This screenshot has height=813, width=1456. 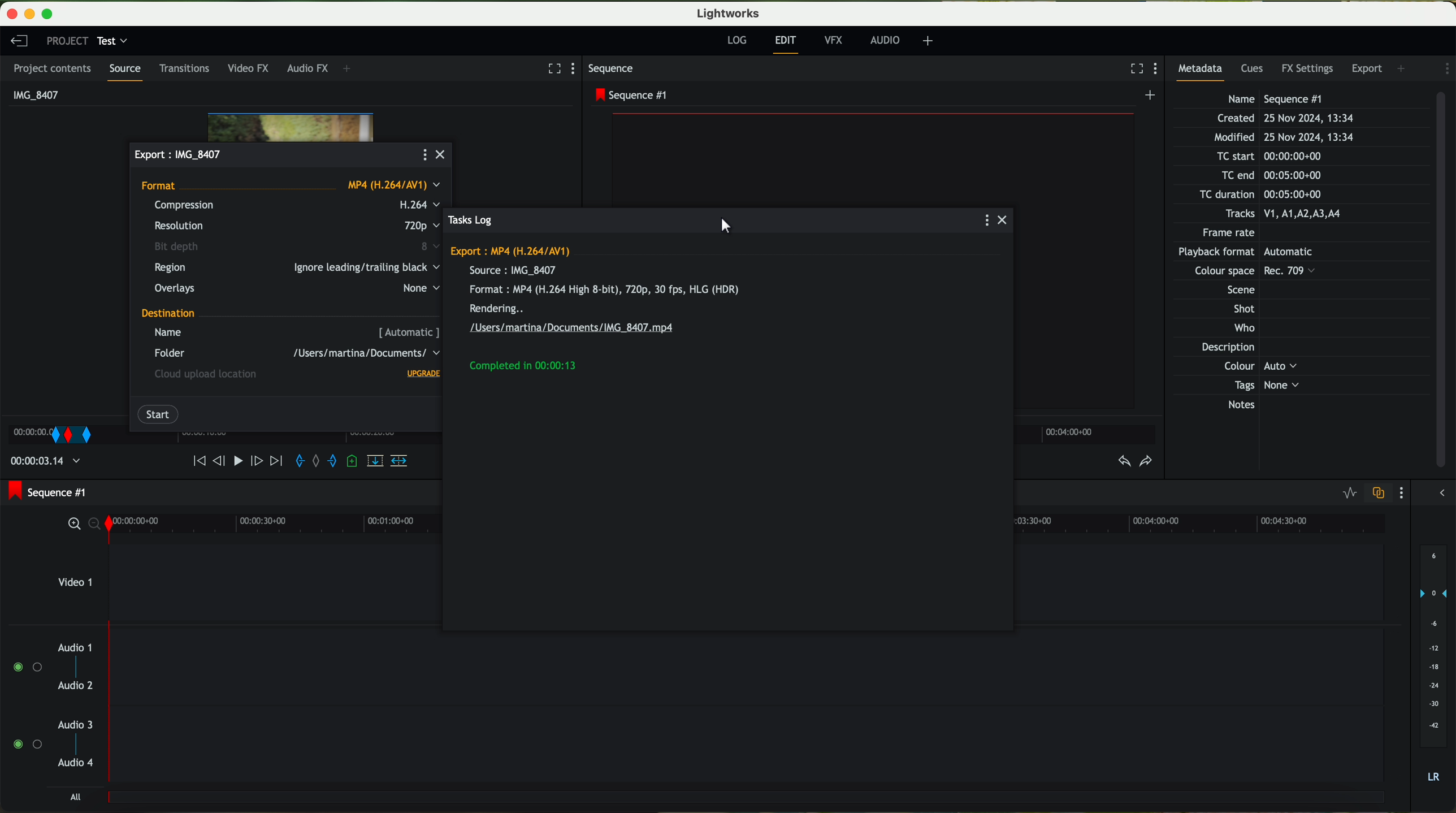 What do you see at coordinates (1242, 329) in the screenshot?
I see `Who` at bounding box center [1242, 329].